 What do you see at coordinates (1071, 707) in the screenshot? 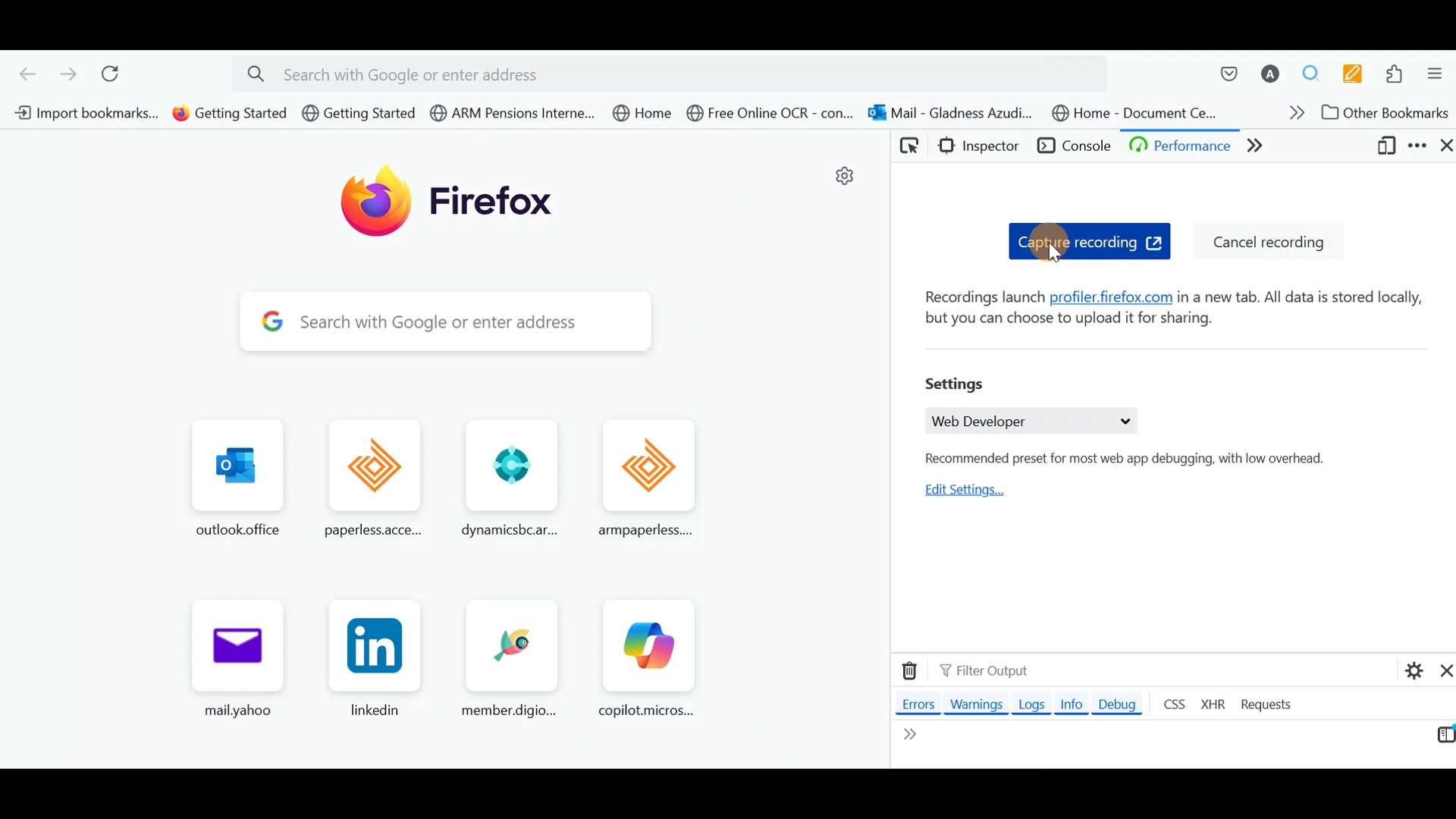
I see `Info` at bounding box center [1071, 707].